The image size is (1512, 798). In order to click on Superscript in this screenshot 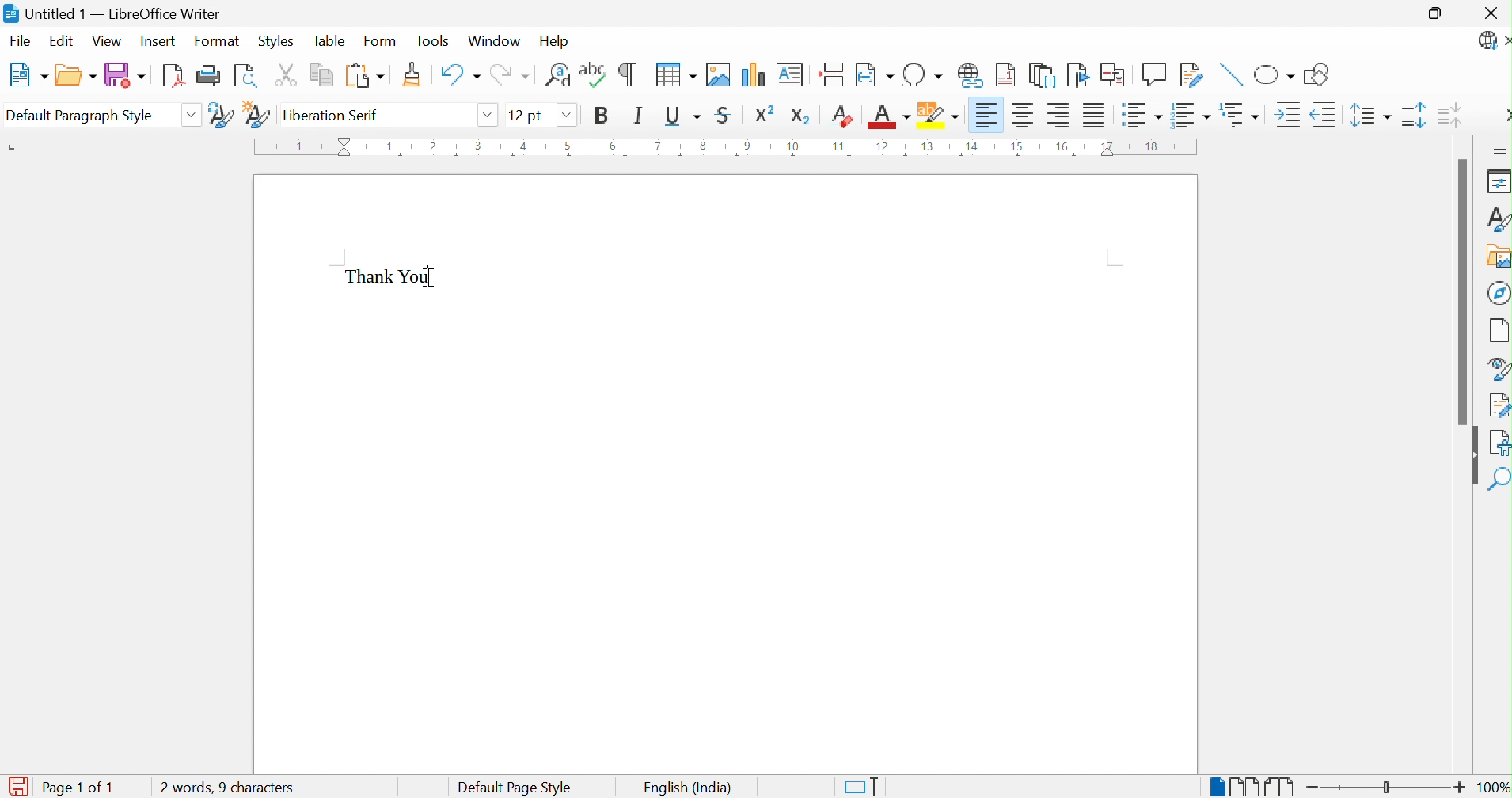, I will do `click(765, 114)`.